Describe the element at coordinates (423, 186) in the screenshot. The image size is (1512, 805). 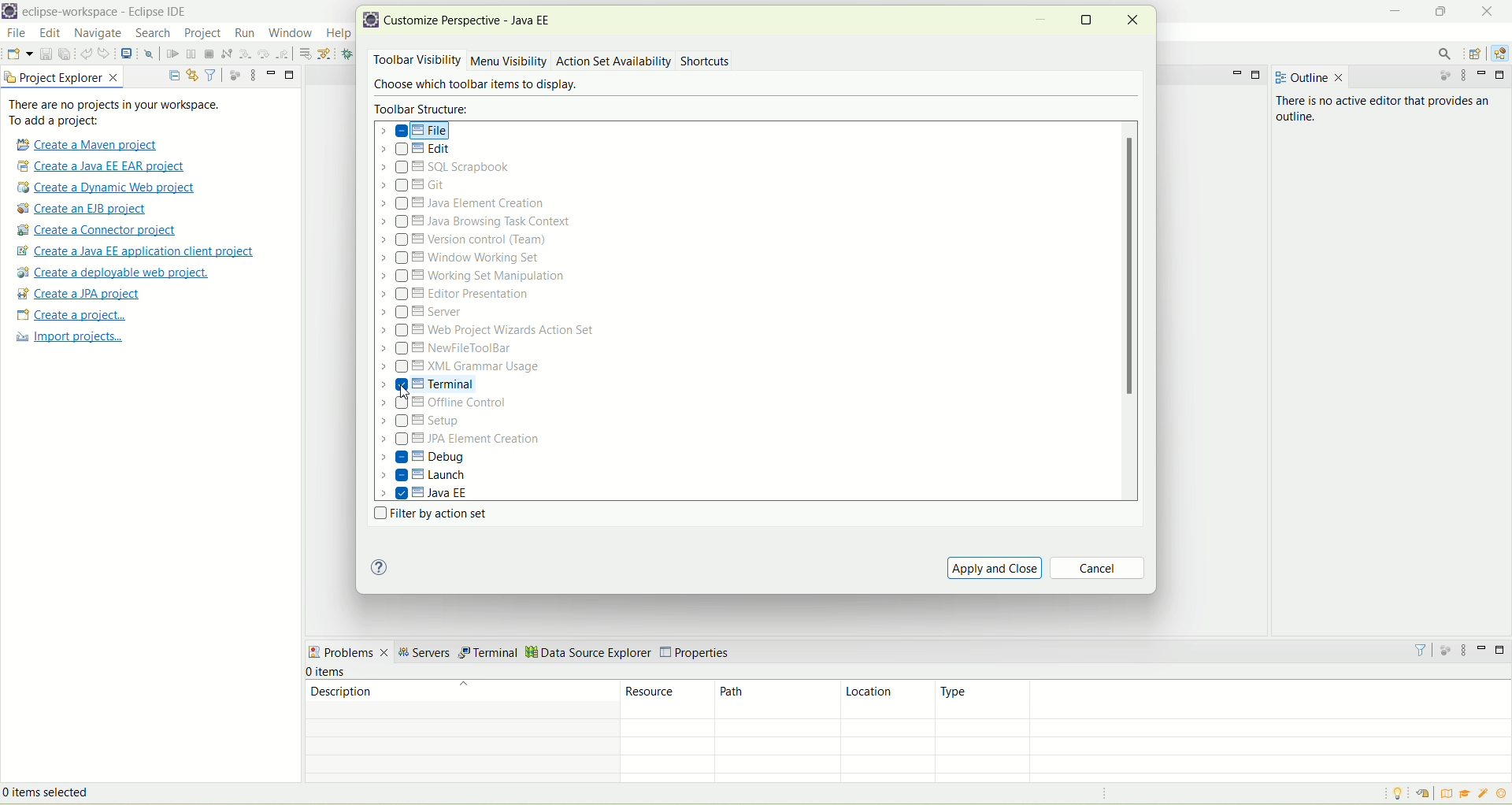
I see `Git` at that location.